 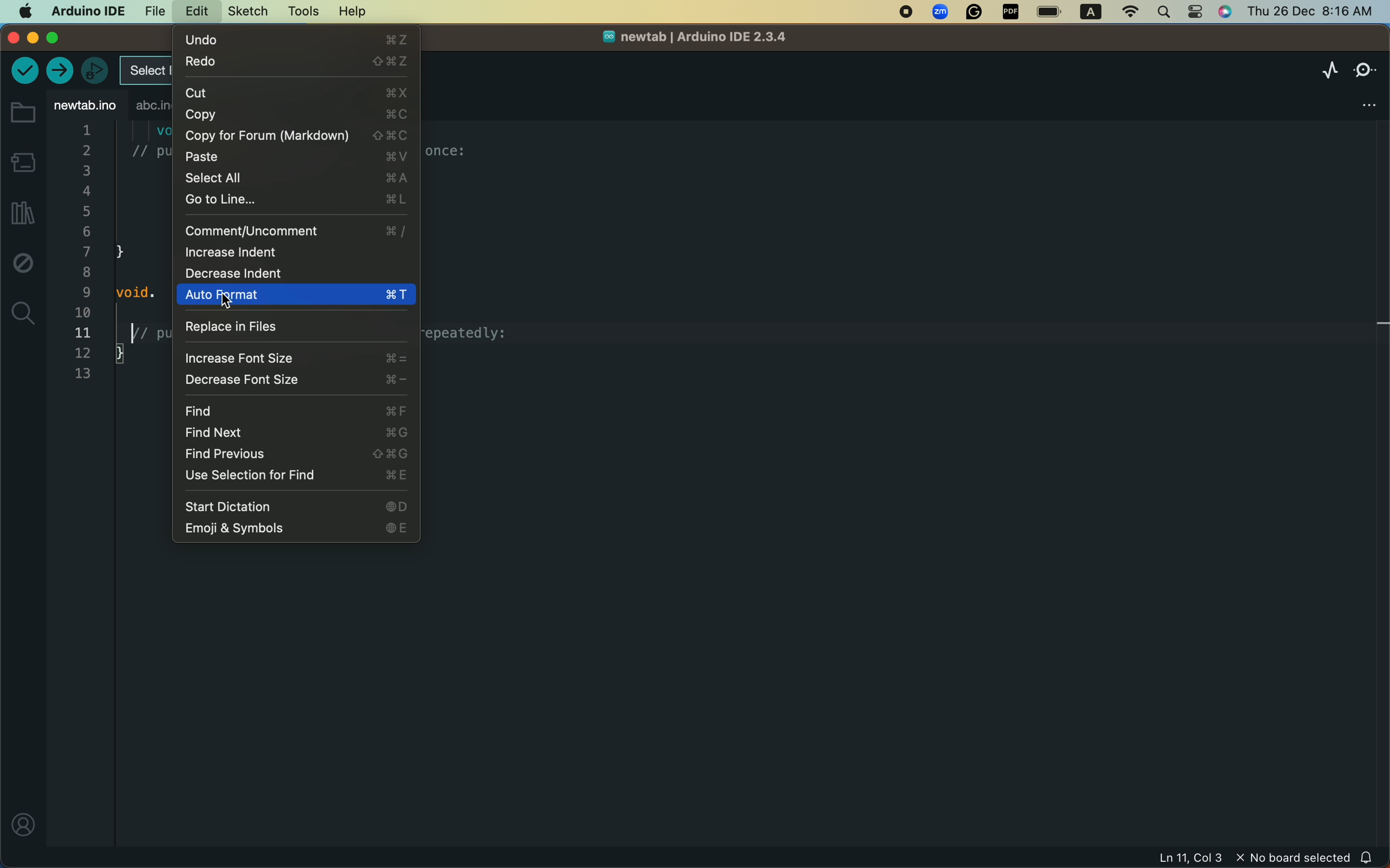 What do you see at coordinates (234, 303) in the screenshot?
I see `curser` at bounding box center [234, 303].